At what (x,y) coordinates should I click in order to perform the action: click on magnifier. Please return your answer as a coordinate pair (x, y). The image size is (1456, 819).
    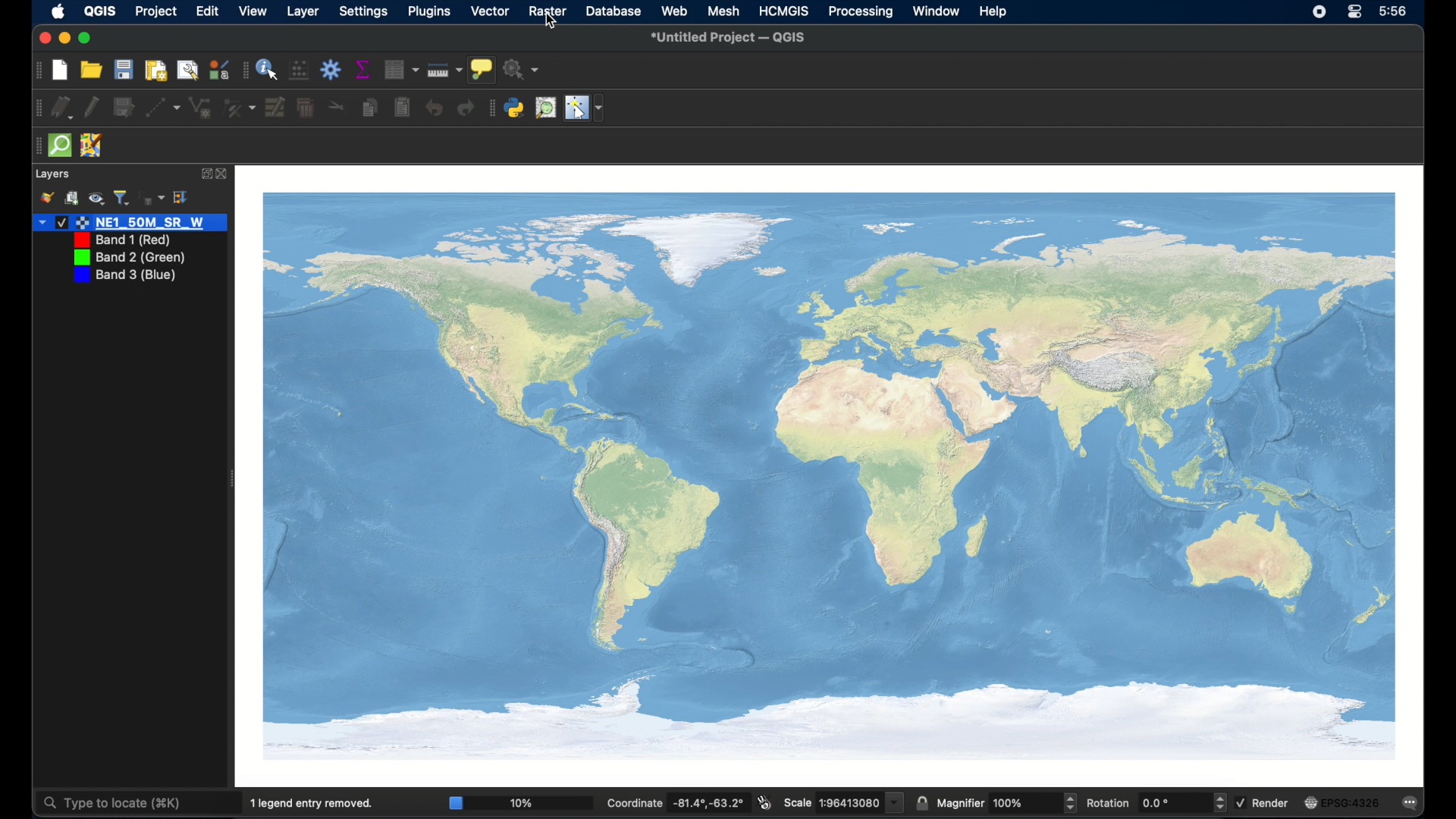
    Looking at the image, I should click on (962, 803).